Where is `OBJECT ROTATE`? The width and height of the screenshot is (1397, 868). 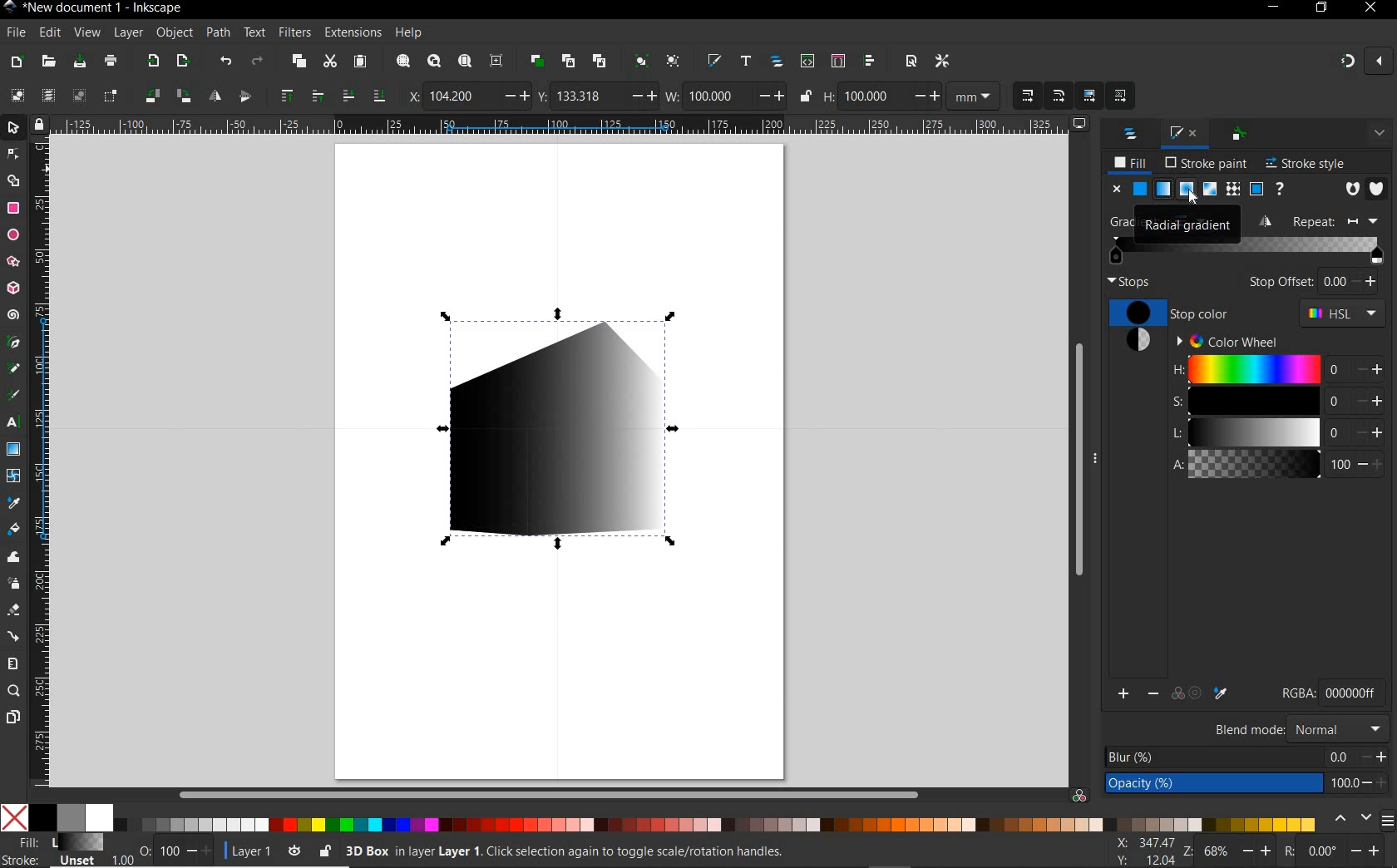
OBJECT ROTATE is located at coordinates (151, 94).